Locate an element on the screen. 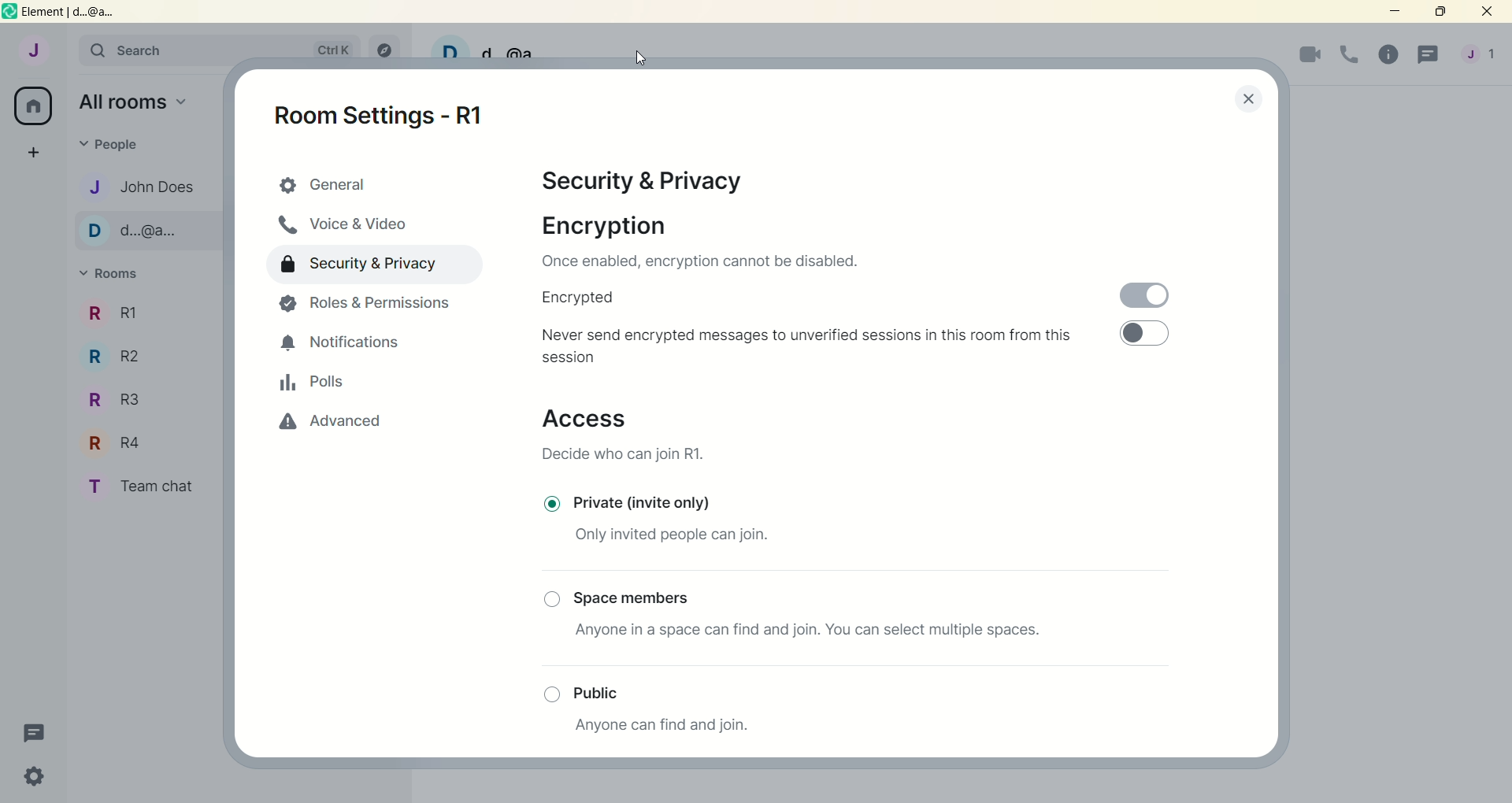 The image size is (1512, 803). all rooms is located at coordinates (35, 107).